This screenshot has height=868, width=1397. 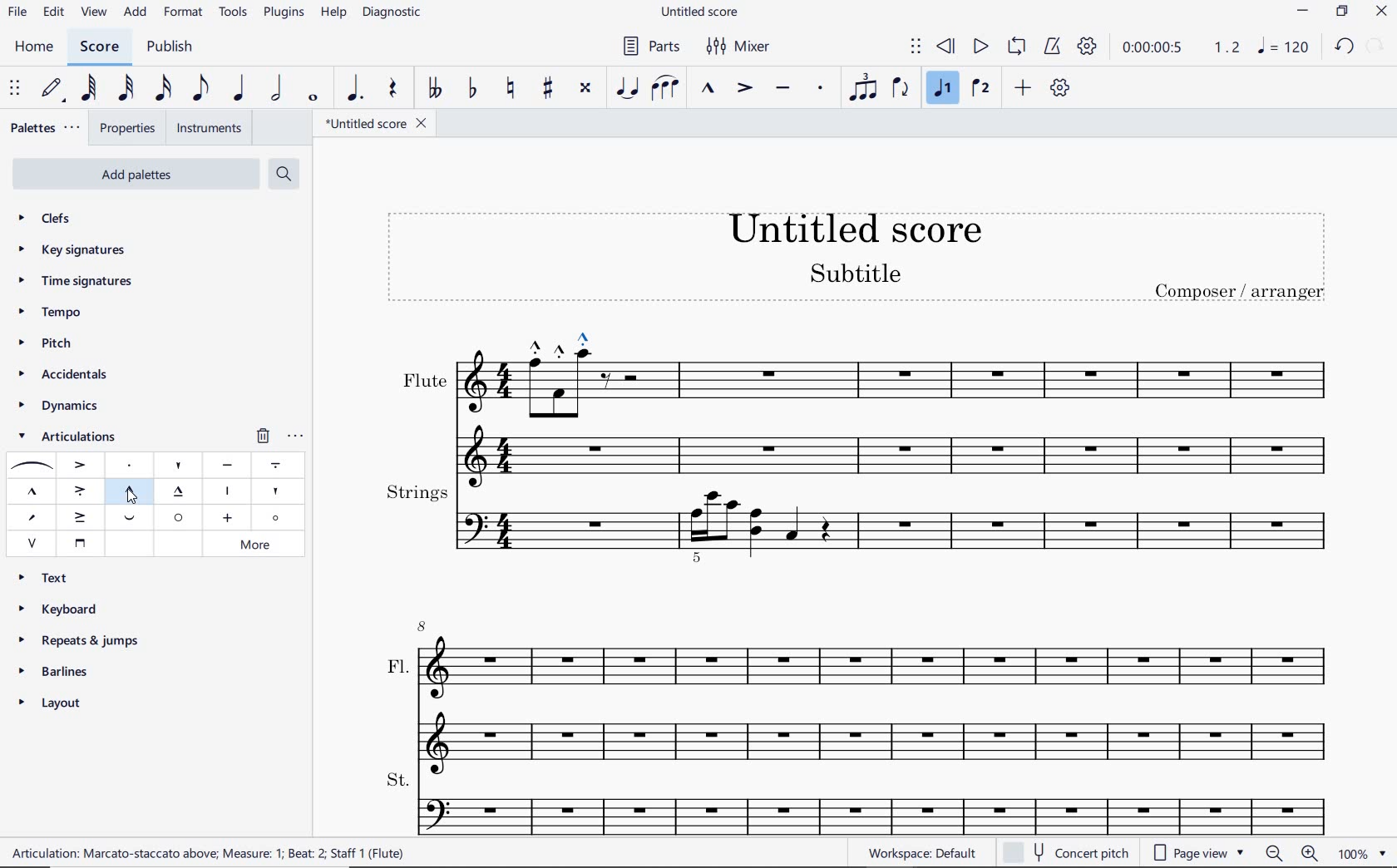 What do you see at coordinates (177, 517) in the screenshot?
I see `OPEN` at bounding box center [177, 517].